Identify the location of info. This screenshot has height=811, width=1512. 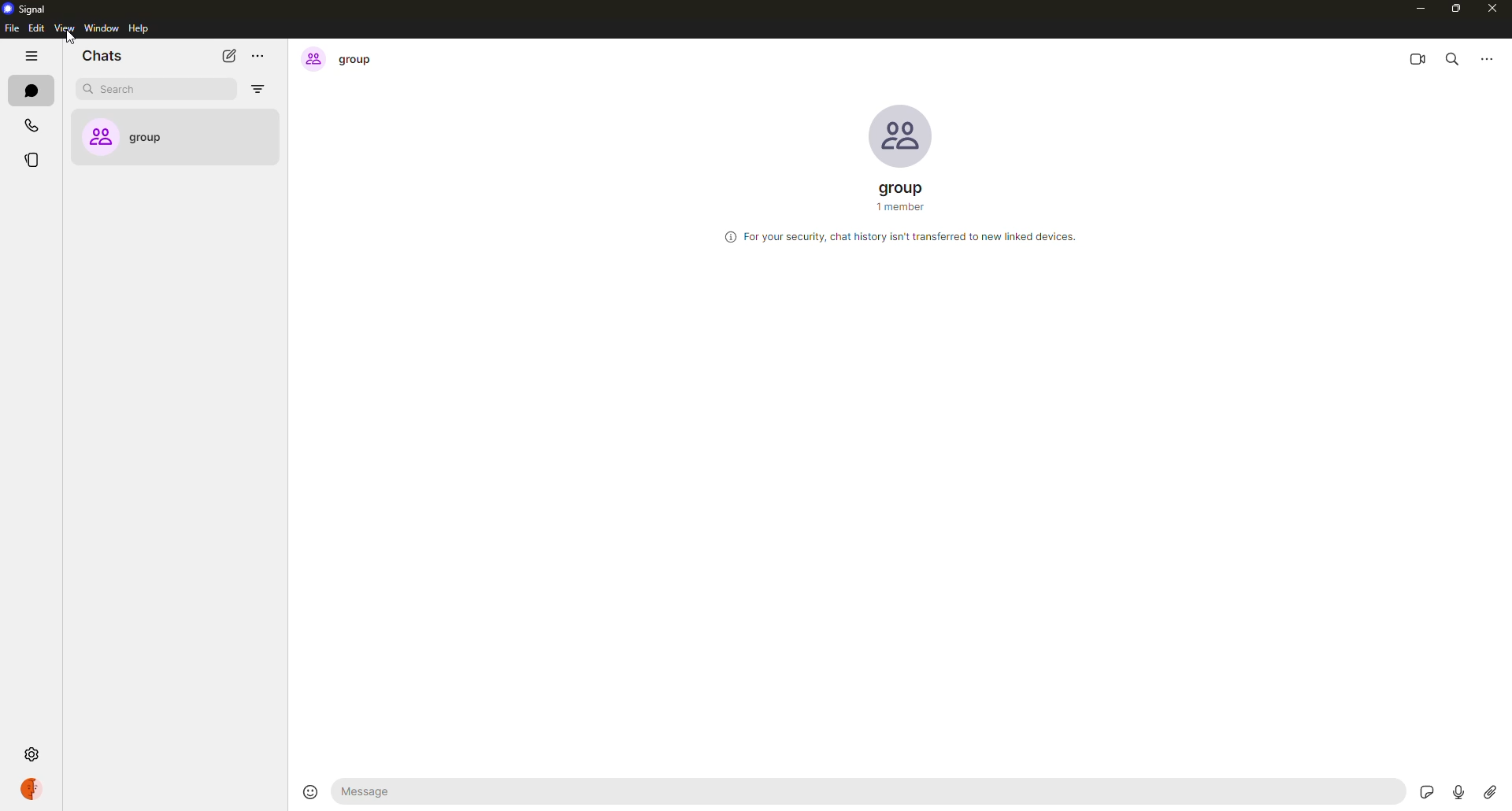
(899, 238).